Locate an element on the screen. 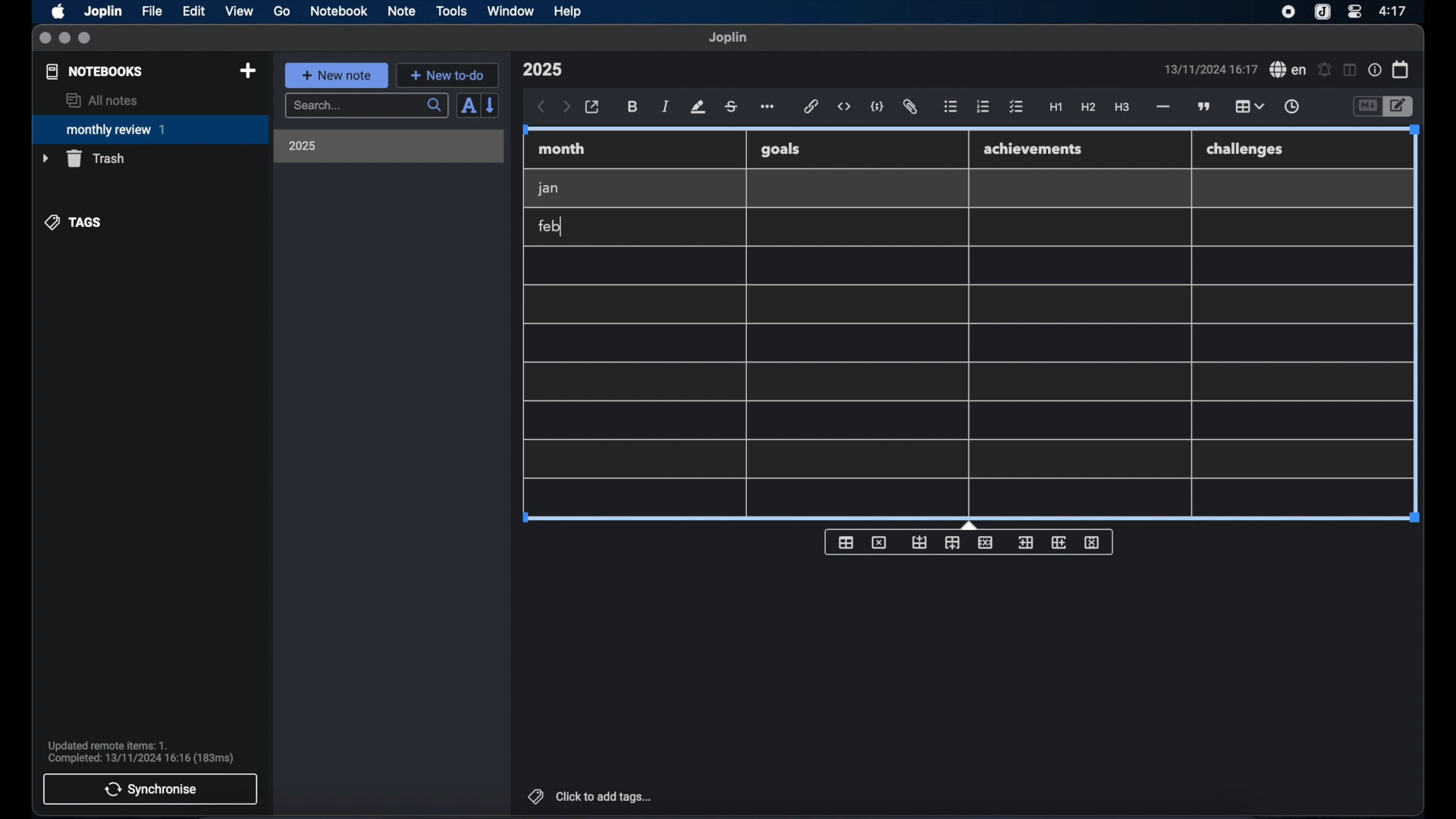 The width and height of the screenshot is (1456, 819). inline code is located at coordinates (844, 107).